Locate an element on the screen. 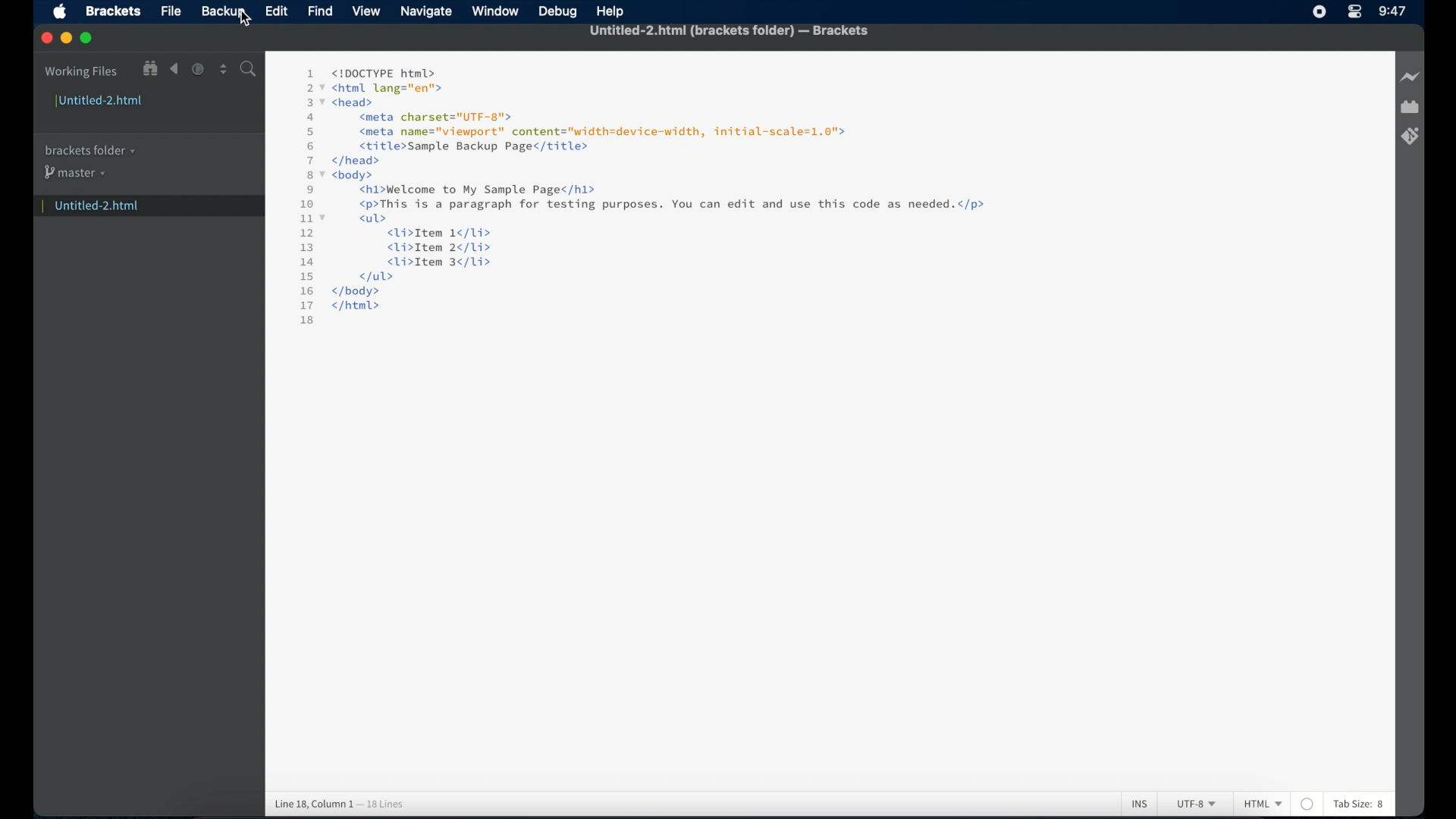 This screenshot has height=819, width=1456. control center is located at coordinates (1354, 12).